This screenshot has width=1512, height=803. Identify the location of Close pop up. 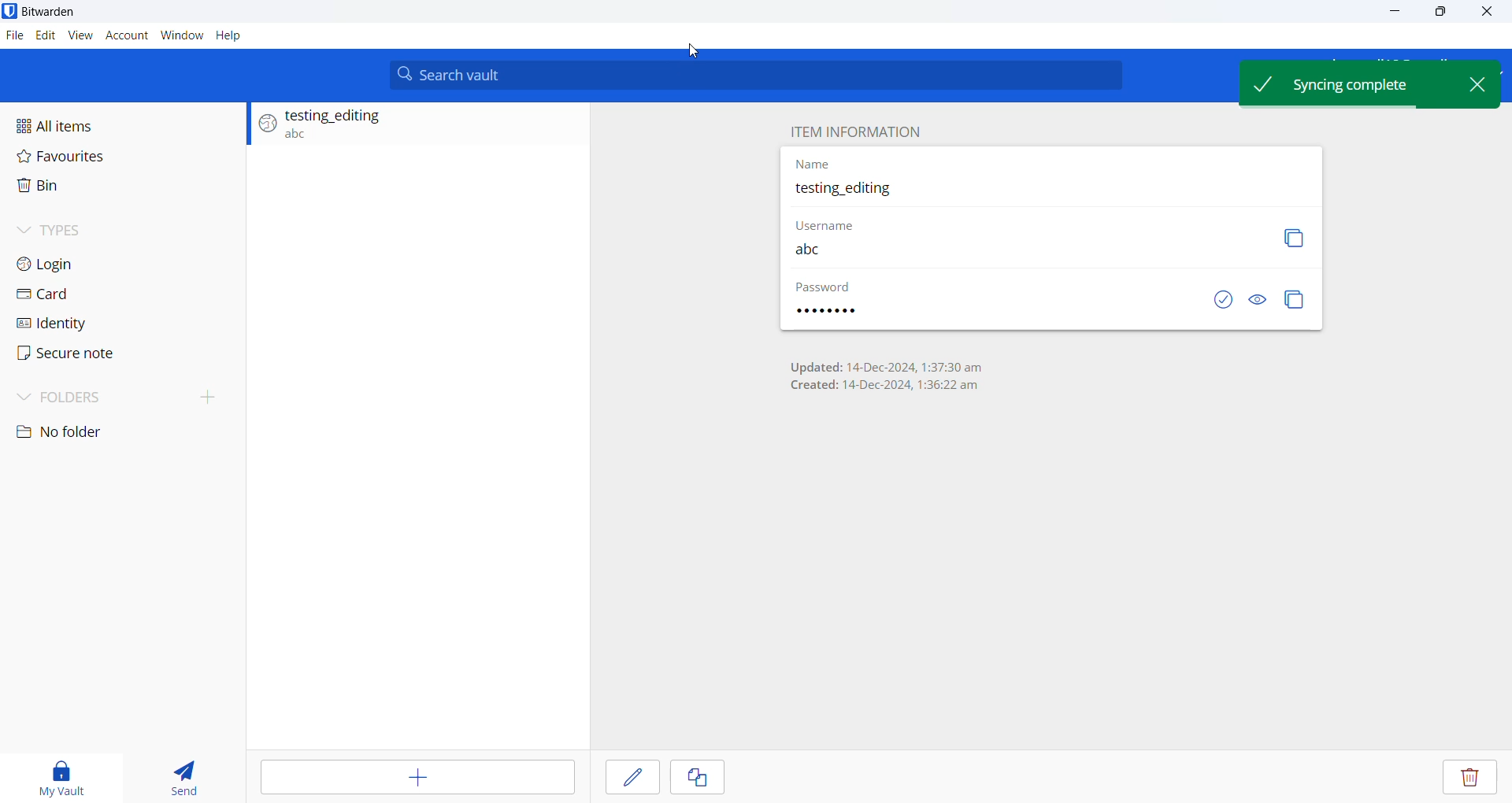
(1468, 83).